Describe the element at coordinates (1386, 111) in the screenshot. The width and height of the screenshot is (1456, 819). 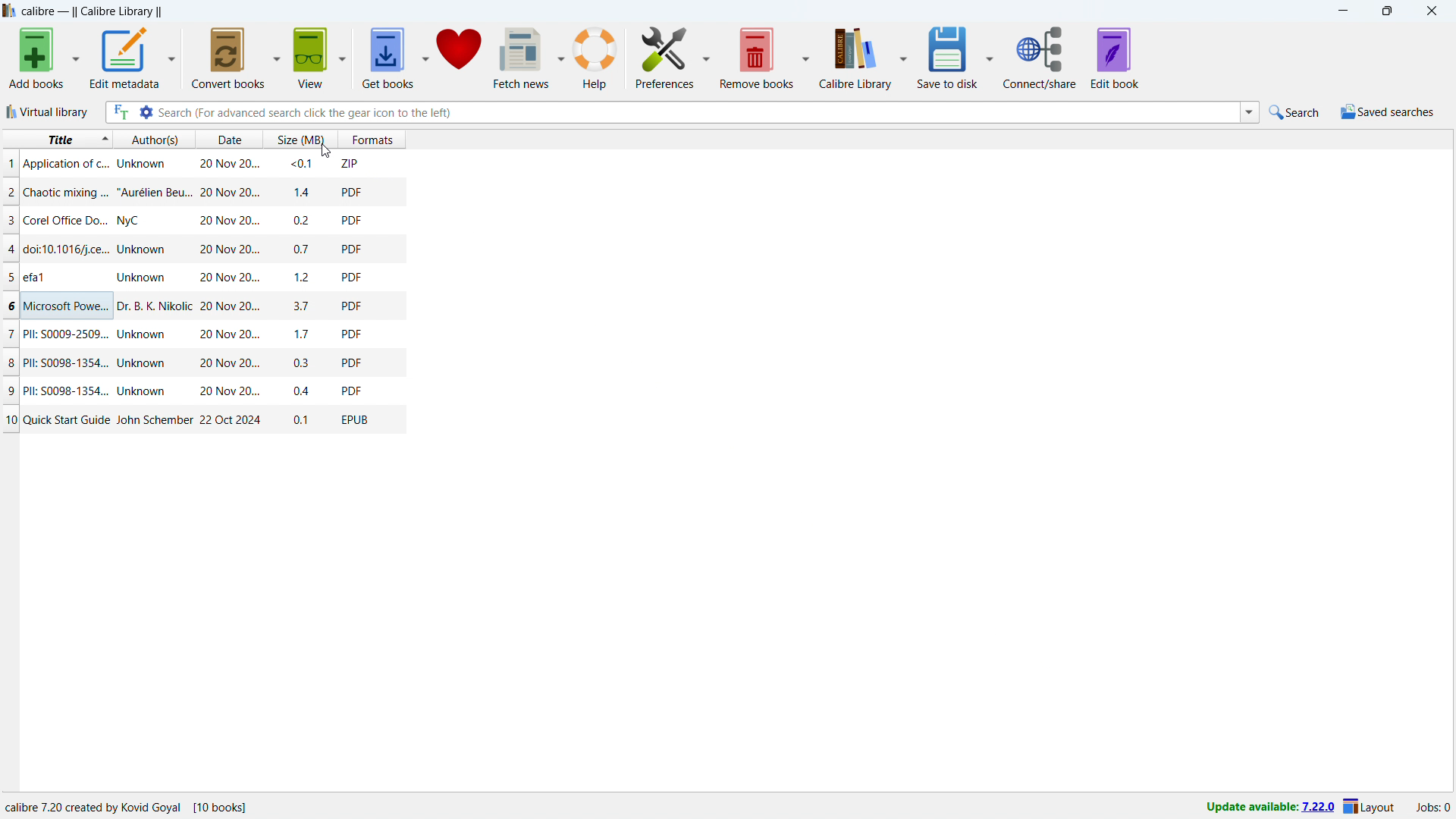
I see `saved searches` at that location.